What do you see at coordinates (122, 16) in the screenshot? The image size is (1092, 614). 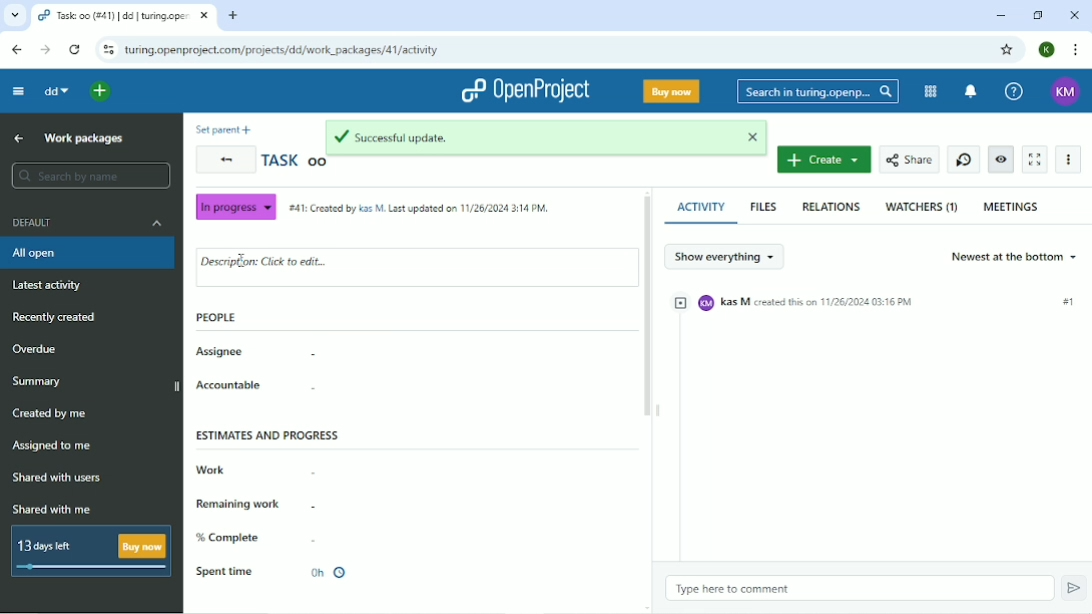 I see `task:oo(#41)|turing.openproject.com` at bounding box center [122, 16].